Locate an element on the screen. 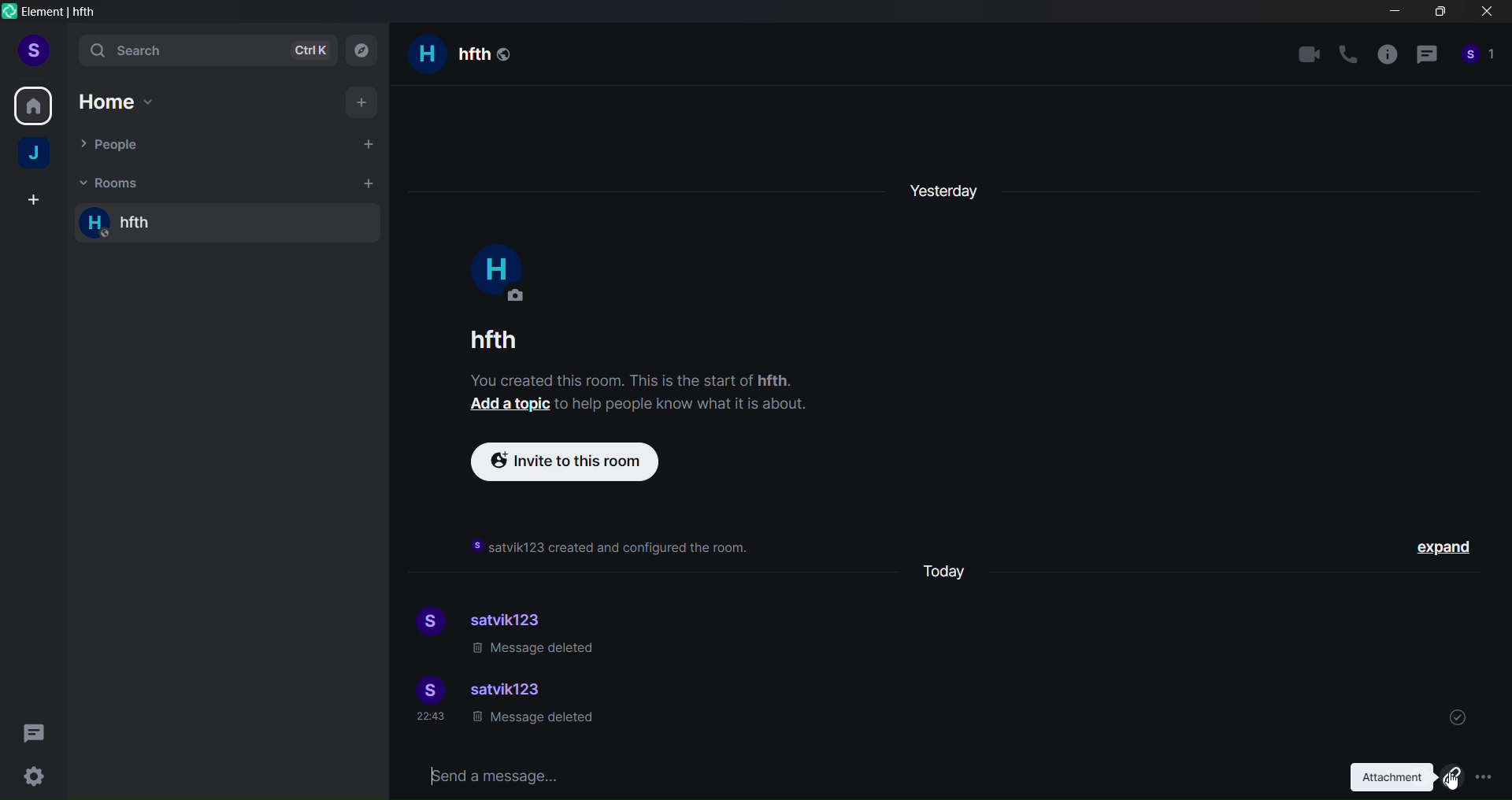 This screenshot has width=1512, height=800. threads is located at coordinates (36, 728).